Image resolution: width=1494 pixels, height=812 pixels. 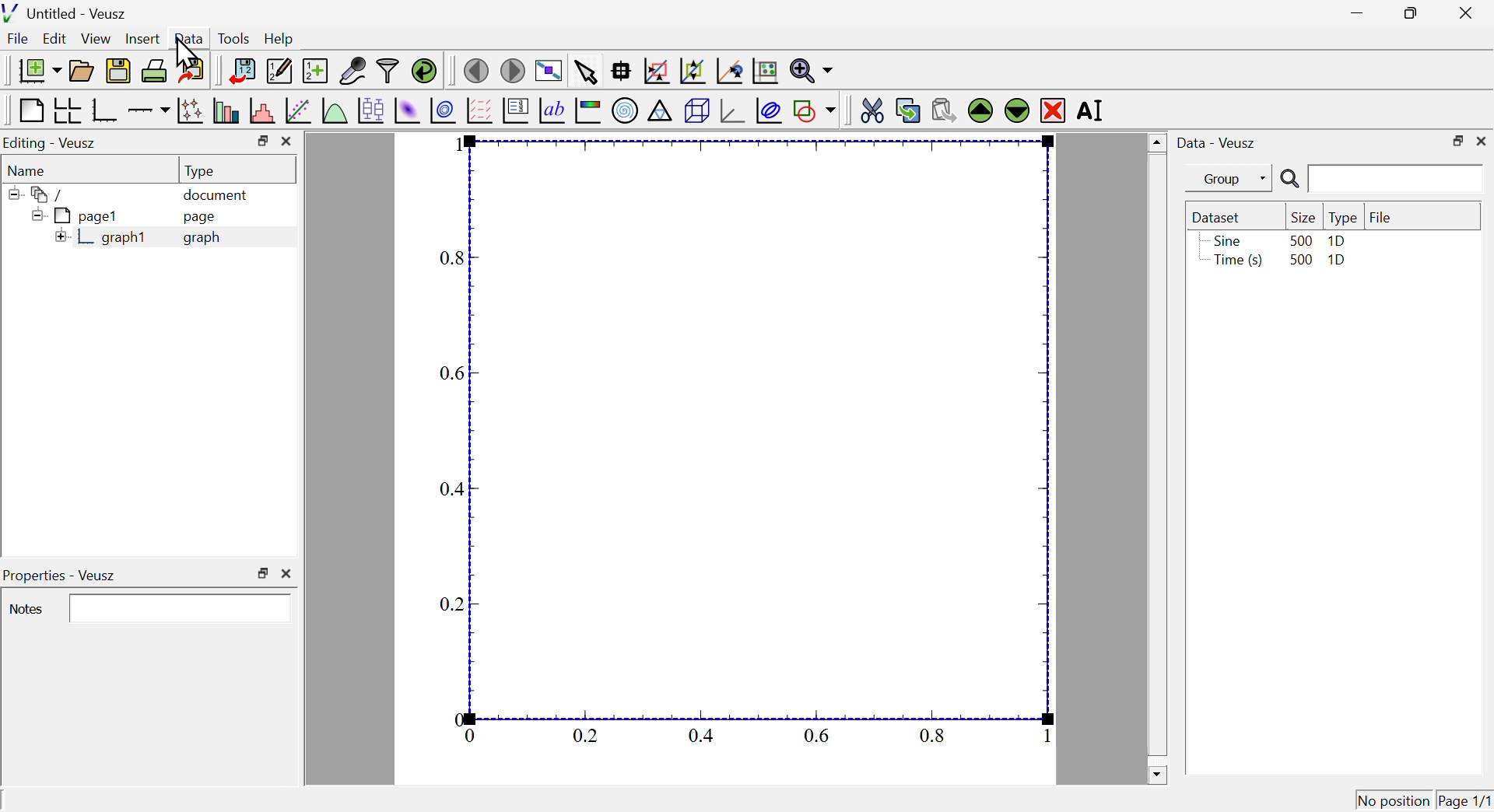 I want to click on rename the selected widget, so click(x=1096, y=111).